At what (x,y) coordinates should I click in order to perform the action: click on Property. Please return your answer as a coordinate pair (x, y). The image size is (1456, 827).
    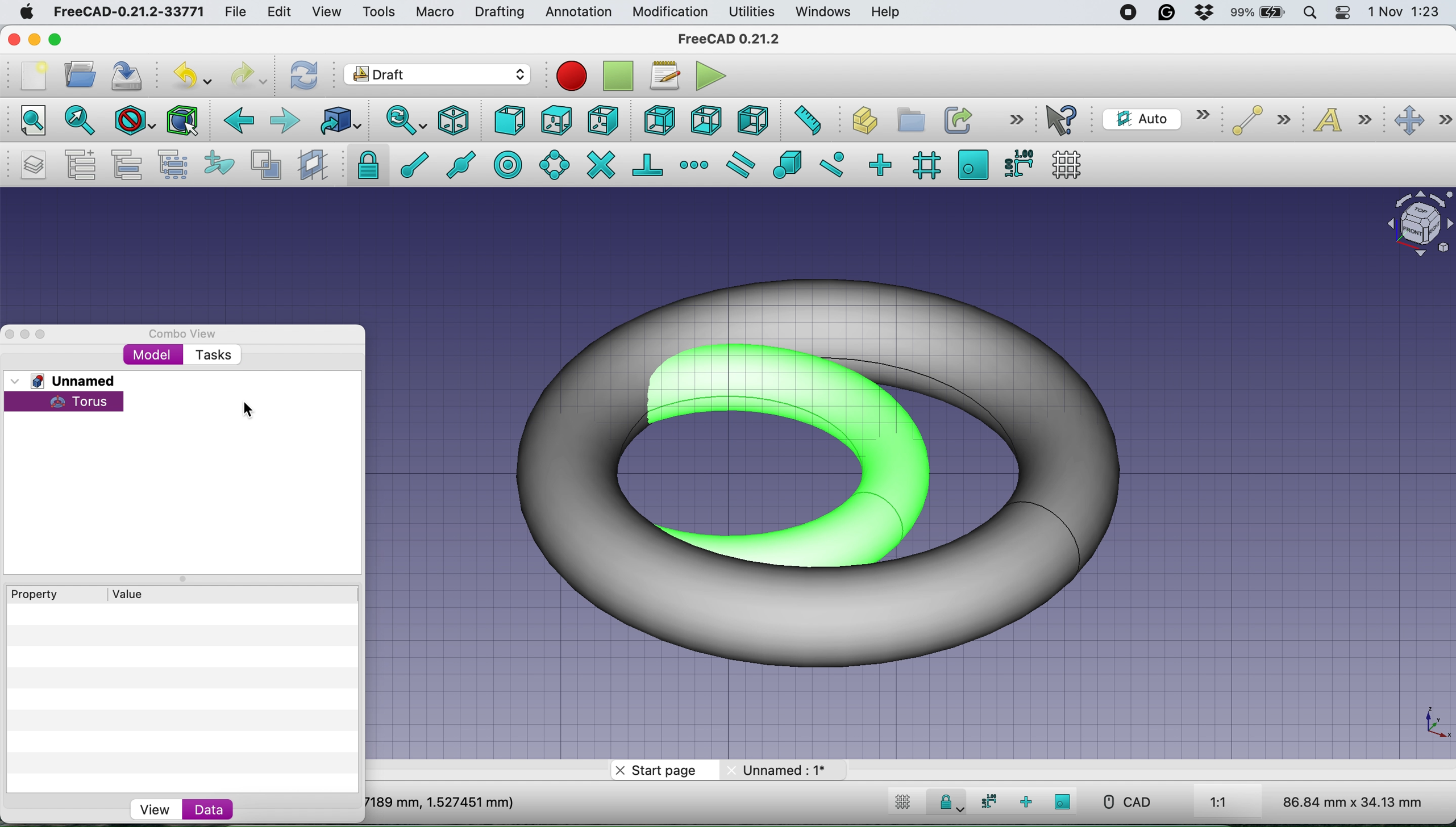
    Looking at the image, I should click on (55, 593).